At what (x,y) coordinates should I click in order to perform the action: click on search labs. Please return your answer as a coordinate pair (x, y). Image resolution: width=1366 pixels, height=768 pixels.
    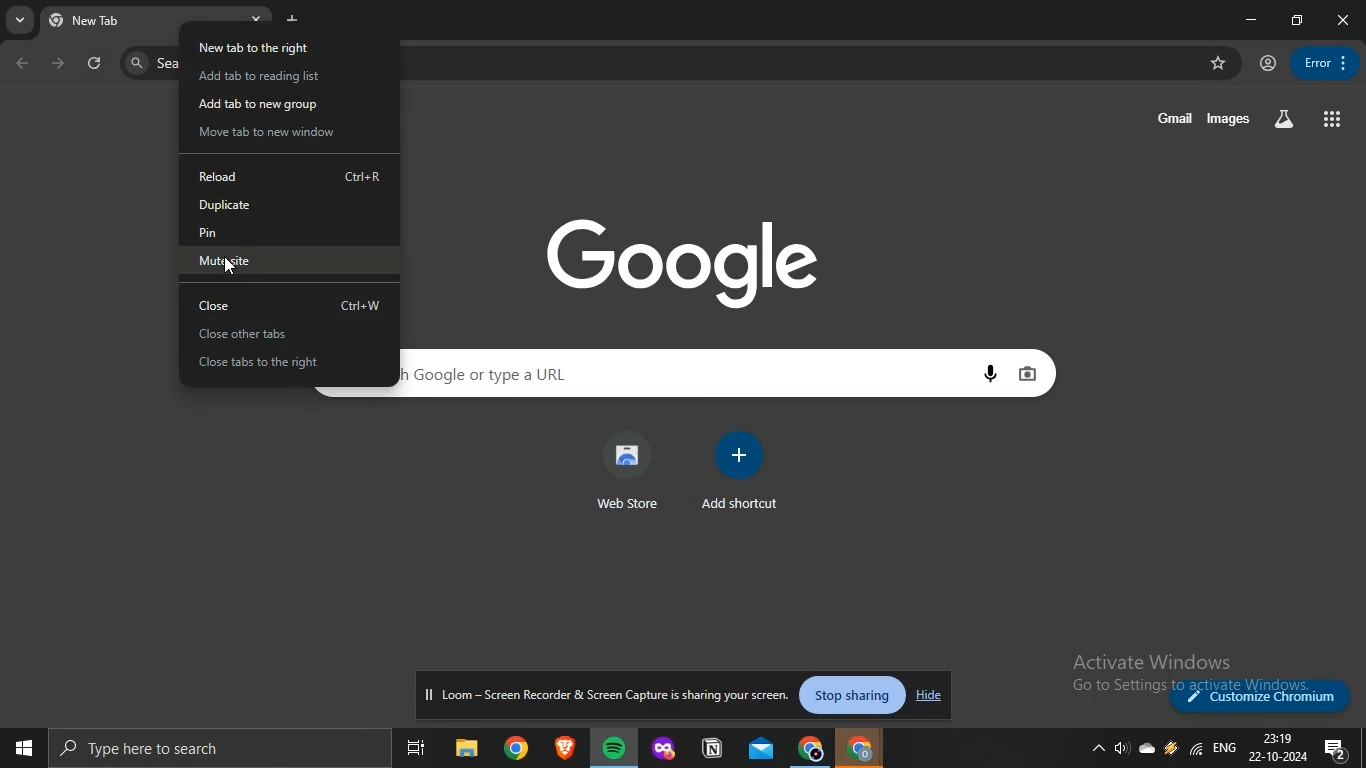
    Looking at the image, I should click on (1283, 117).